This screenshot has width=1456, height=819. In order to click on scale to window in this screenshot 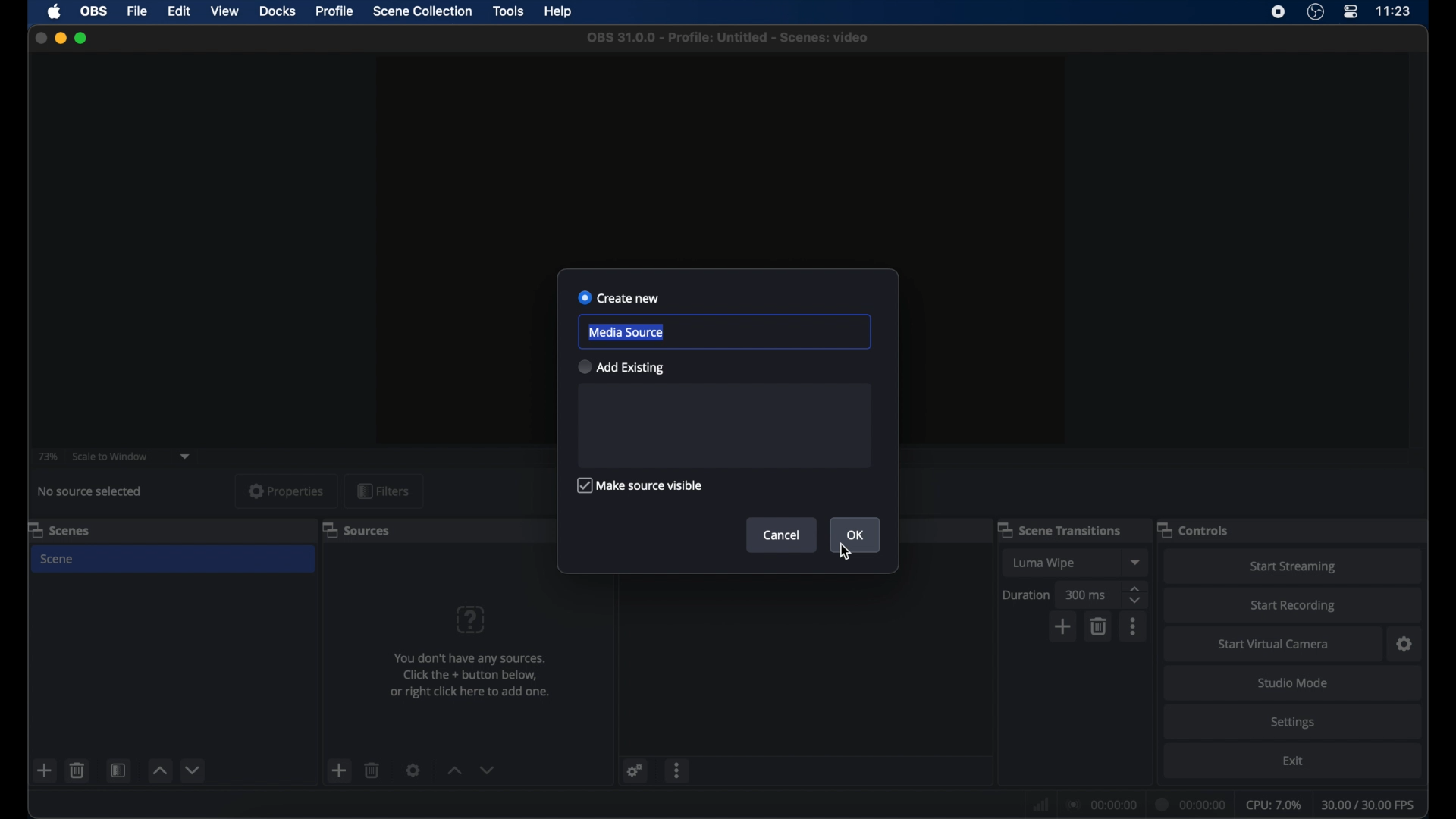, I will do `click(111, 456)`.